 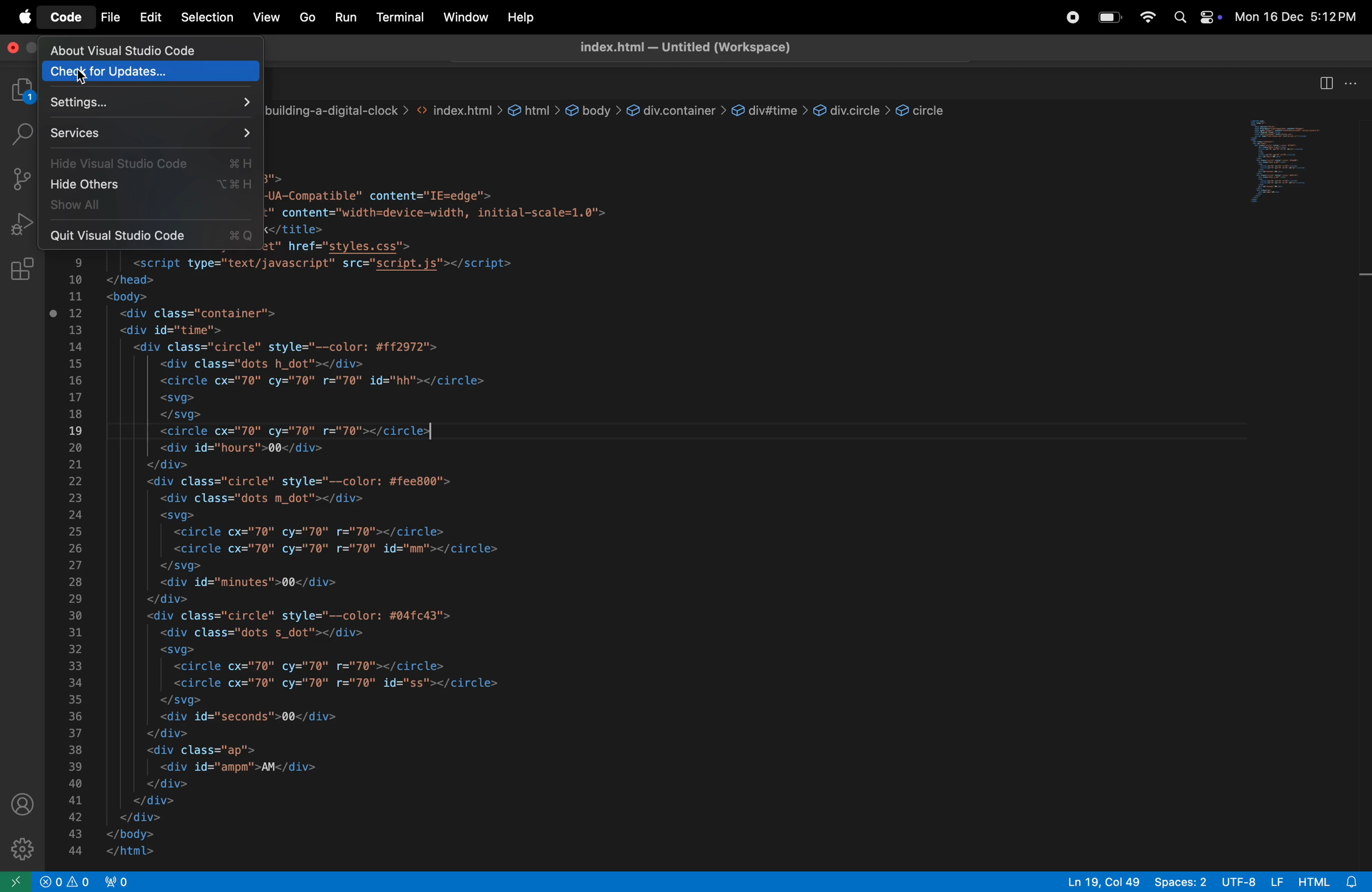 I want to click on cursor, so click(x=84, y=76).